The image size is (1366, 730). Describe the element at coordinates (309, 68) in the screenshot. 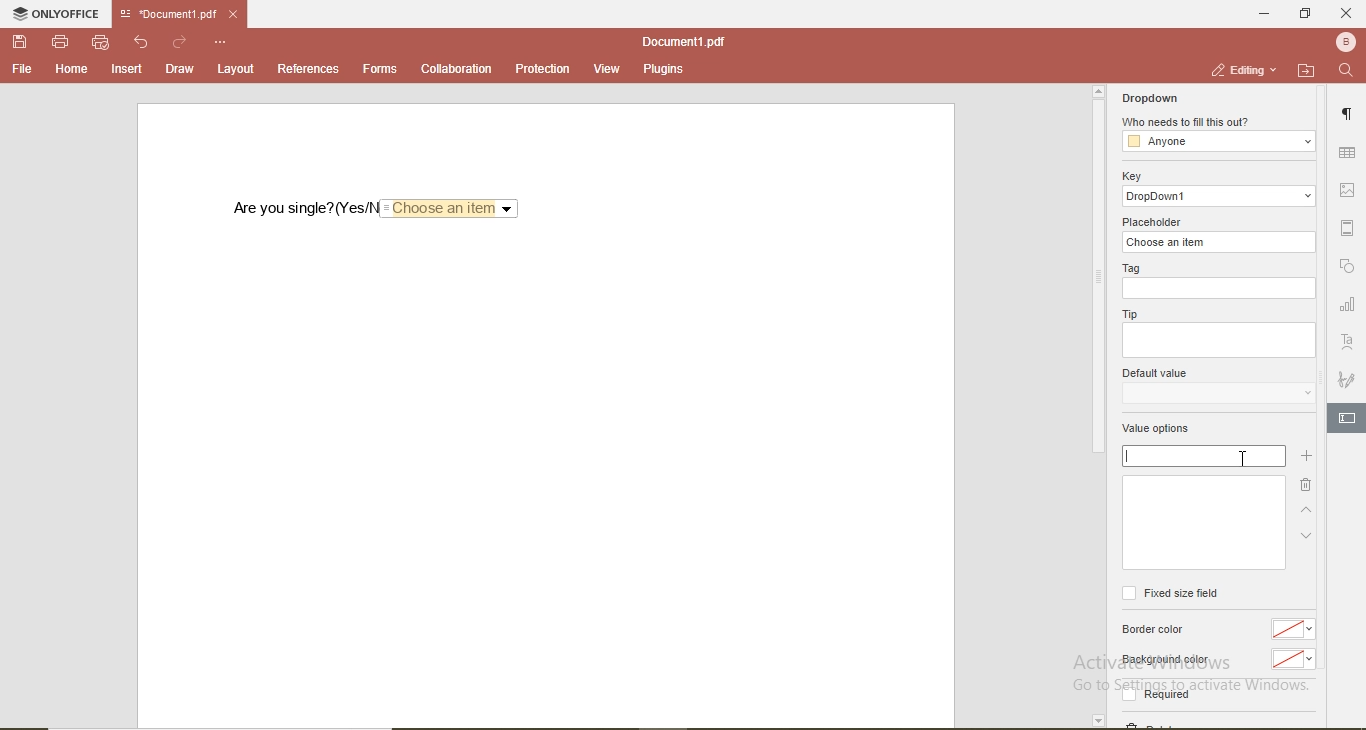

I see `references` at that location.